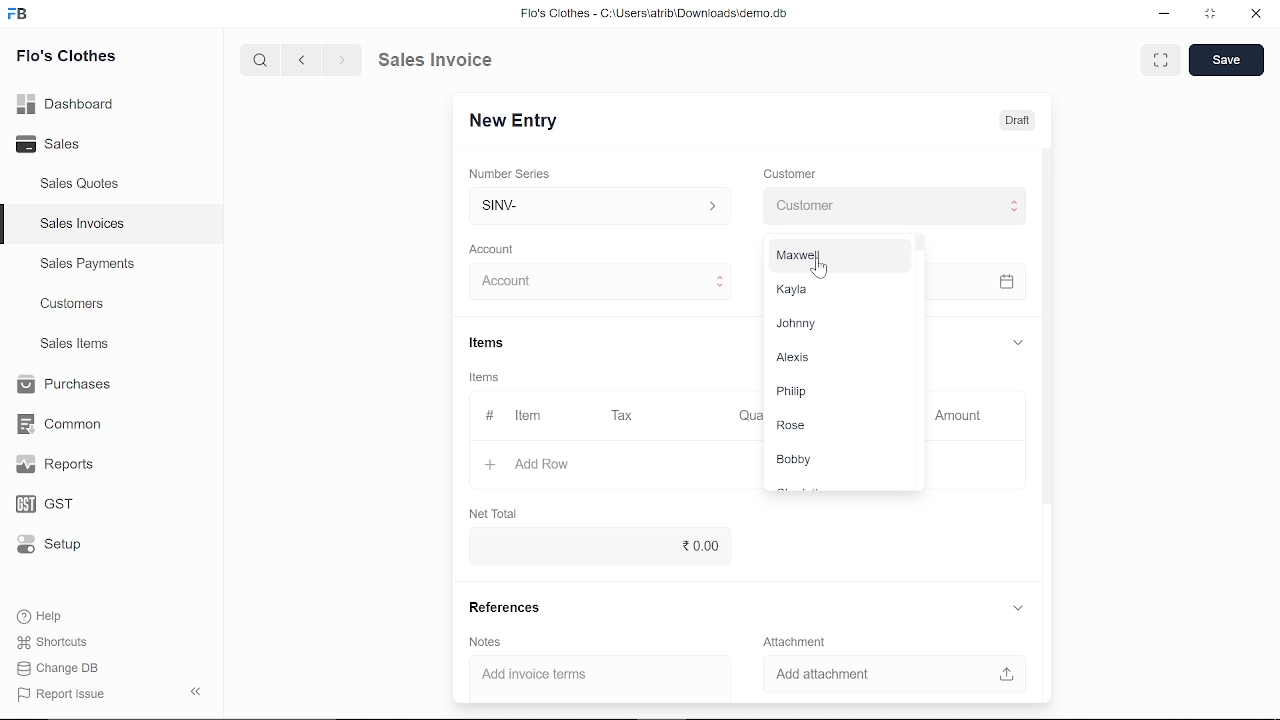 The width and height of the screenshot is (1280, 720). Describe the element at coordinates (485, 345) in the screenshot. I see `Items` at that location.